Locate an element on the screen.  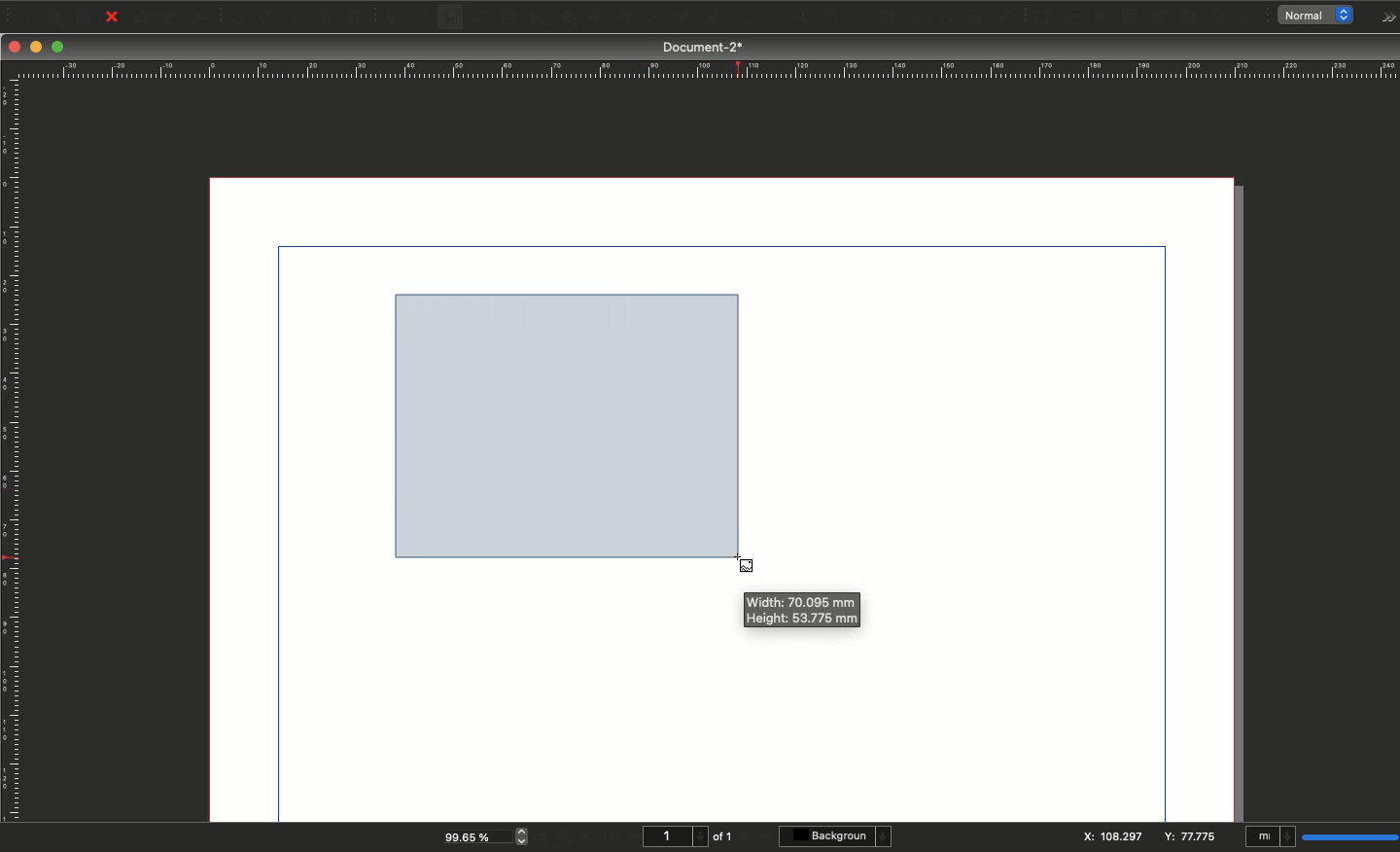
Copy is located at coordinates (327, 18).